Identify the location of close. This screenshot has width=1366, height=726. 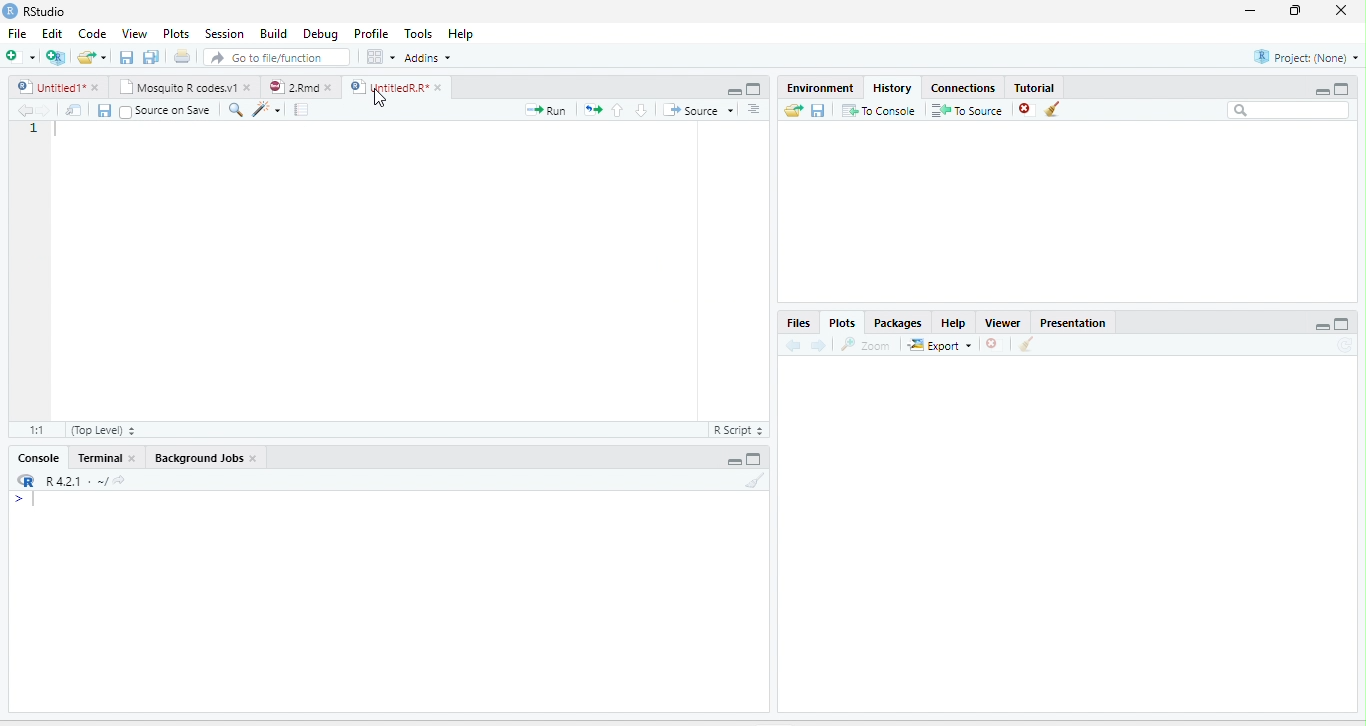
(248, 87).